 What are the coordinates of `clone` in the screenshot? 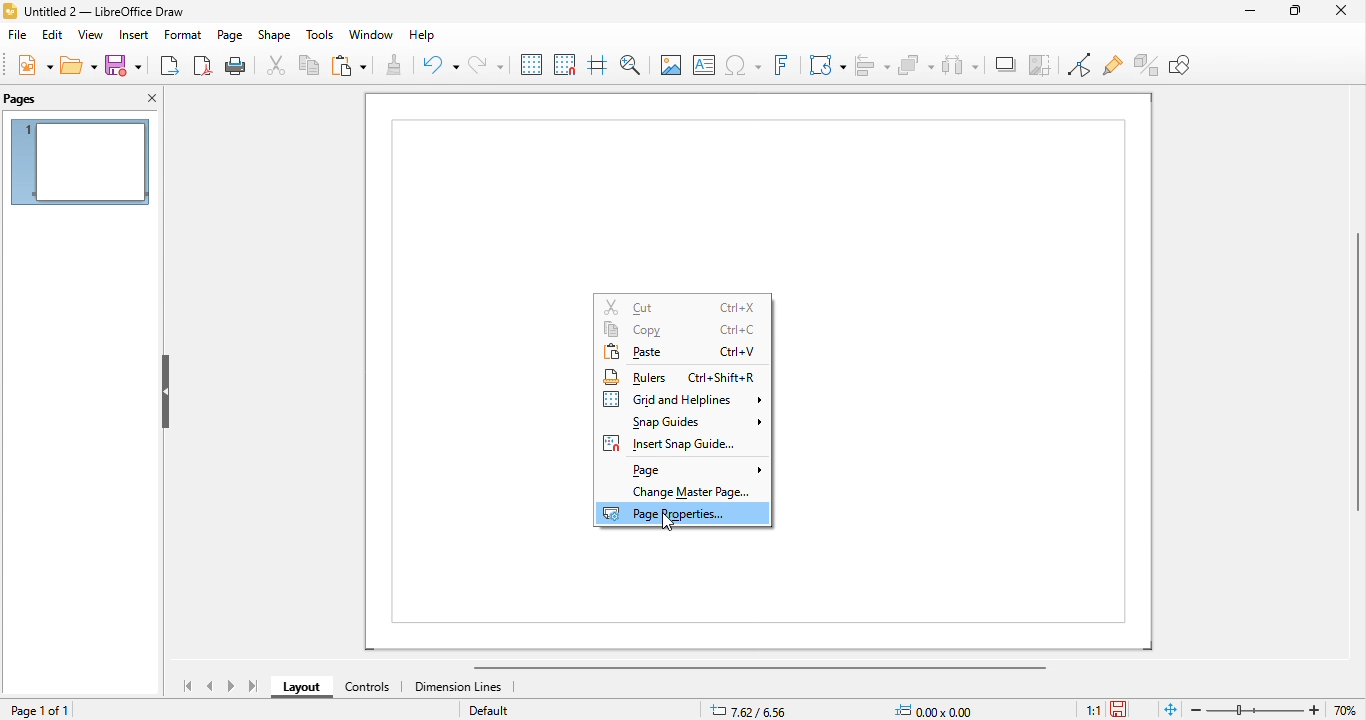 It's located at (393, 68).